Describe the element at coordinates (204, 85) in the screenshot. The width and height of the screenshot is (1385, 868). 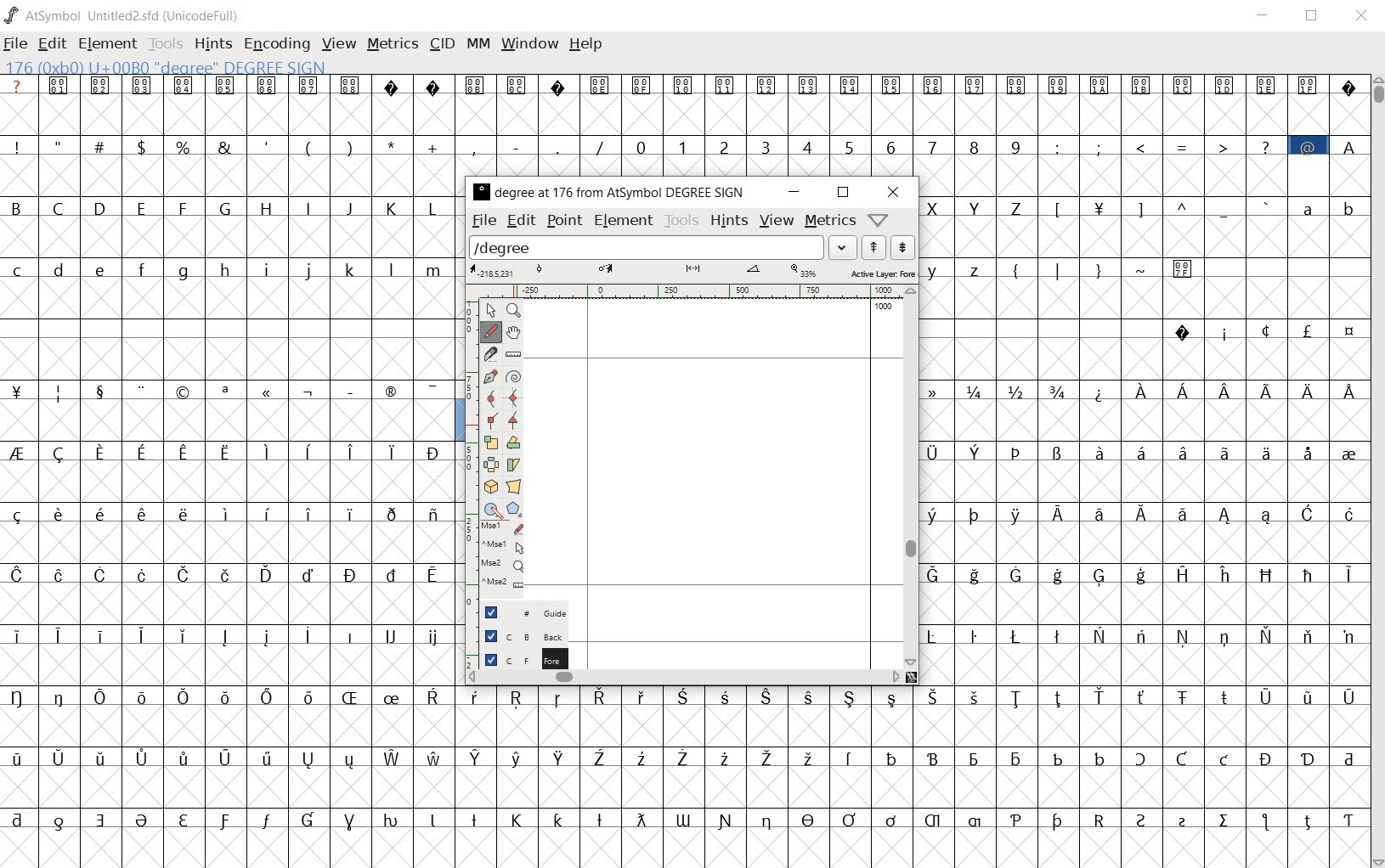
I see `unicode code points` at that location.